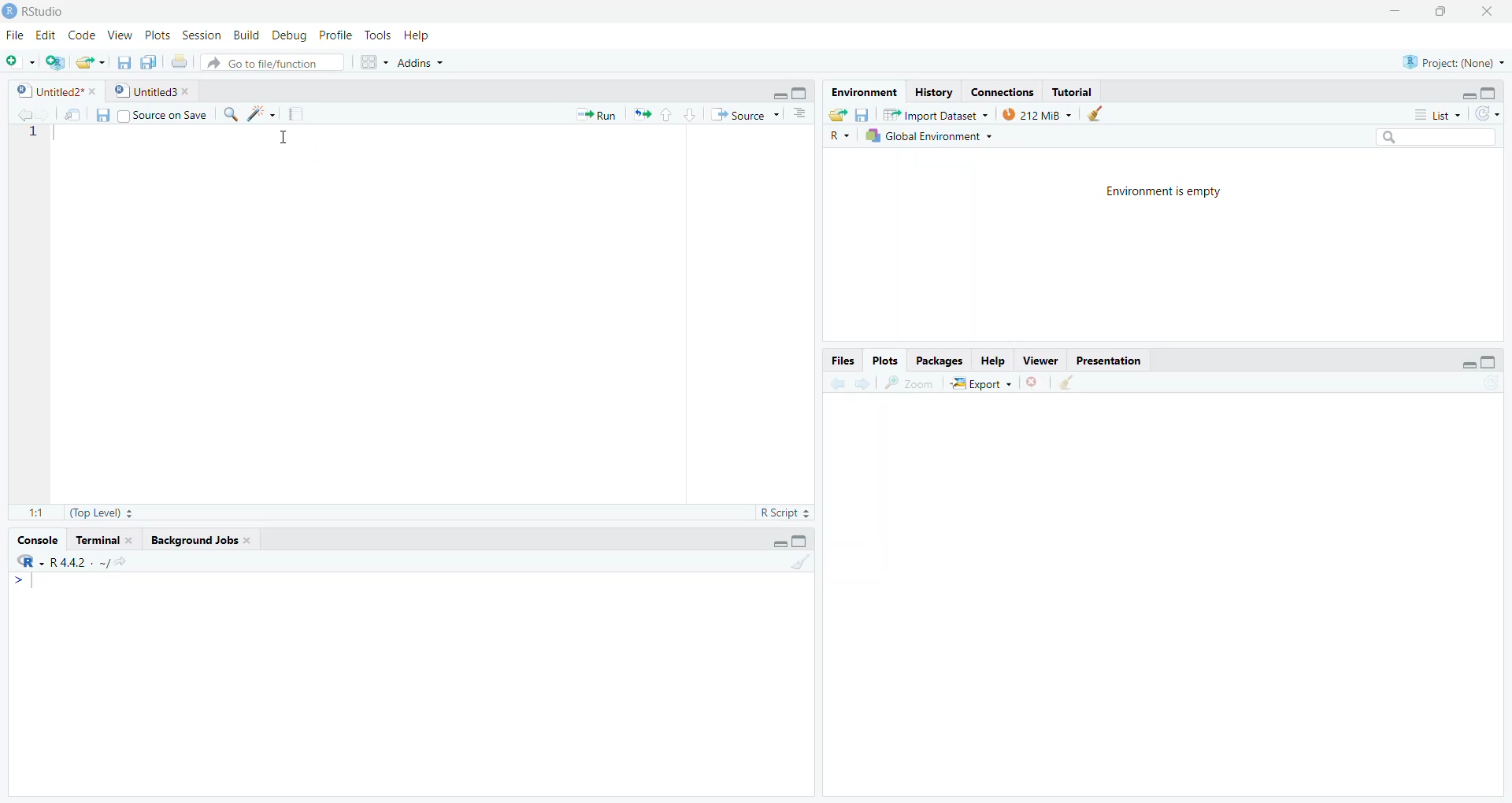  What do you see at coordinates (802, 116) in the screenshot?
I see `` at bounding box center [802, 116].